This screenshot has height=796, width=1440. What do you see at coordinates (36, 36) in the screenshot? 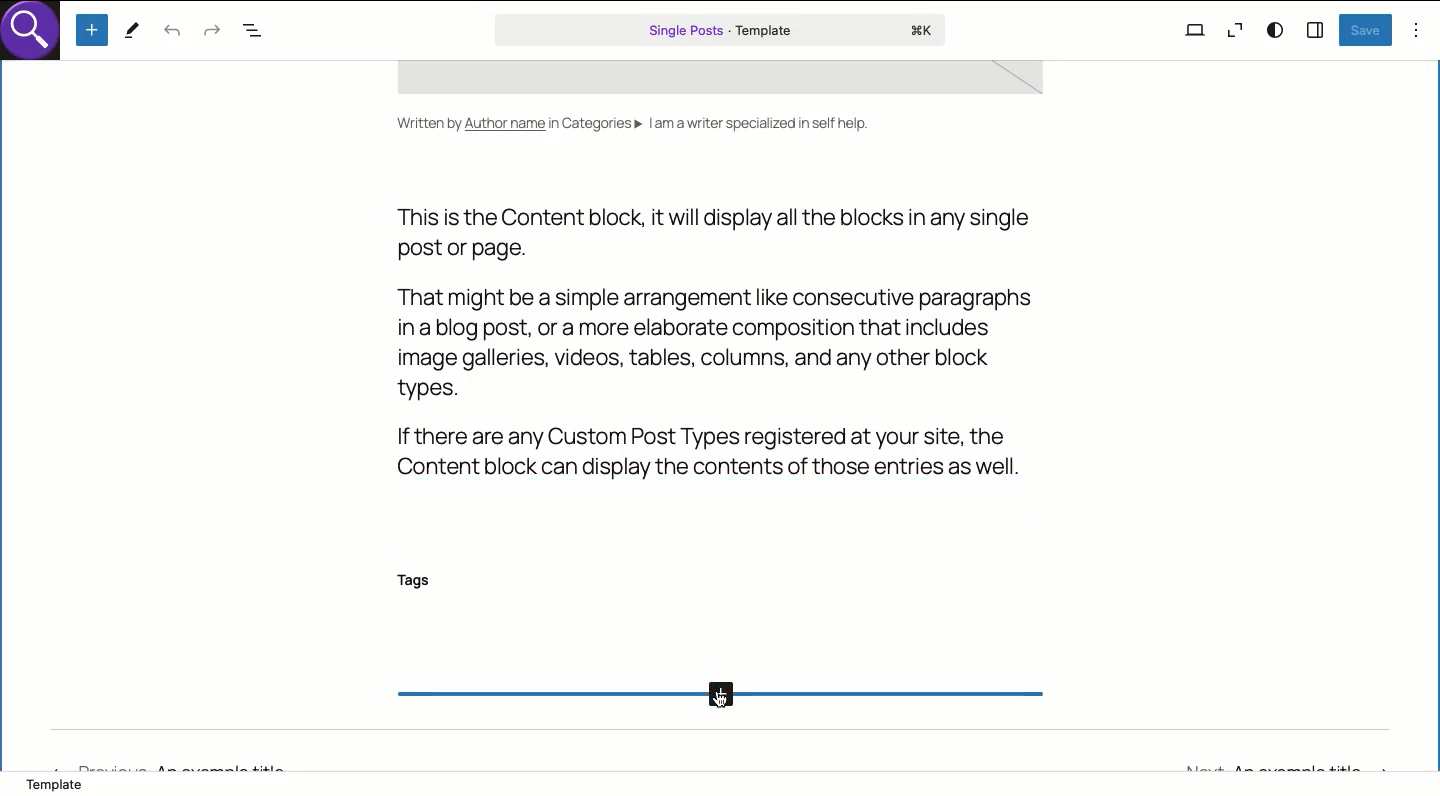
I see `logo` at bounding box center [36, 36].